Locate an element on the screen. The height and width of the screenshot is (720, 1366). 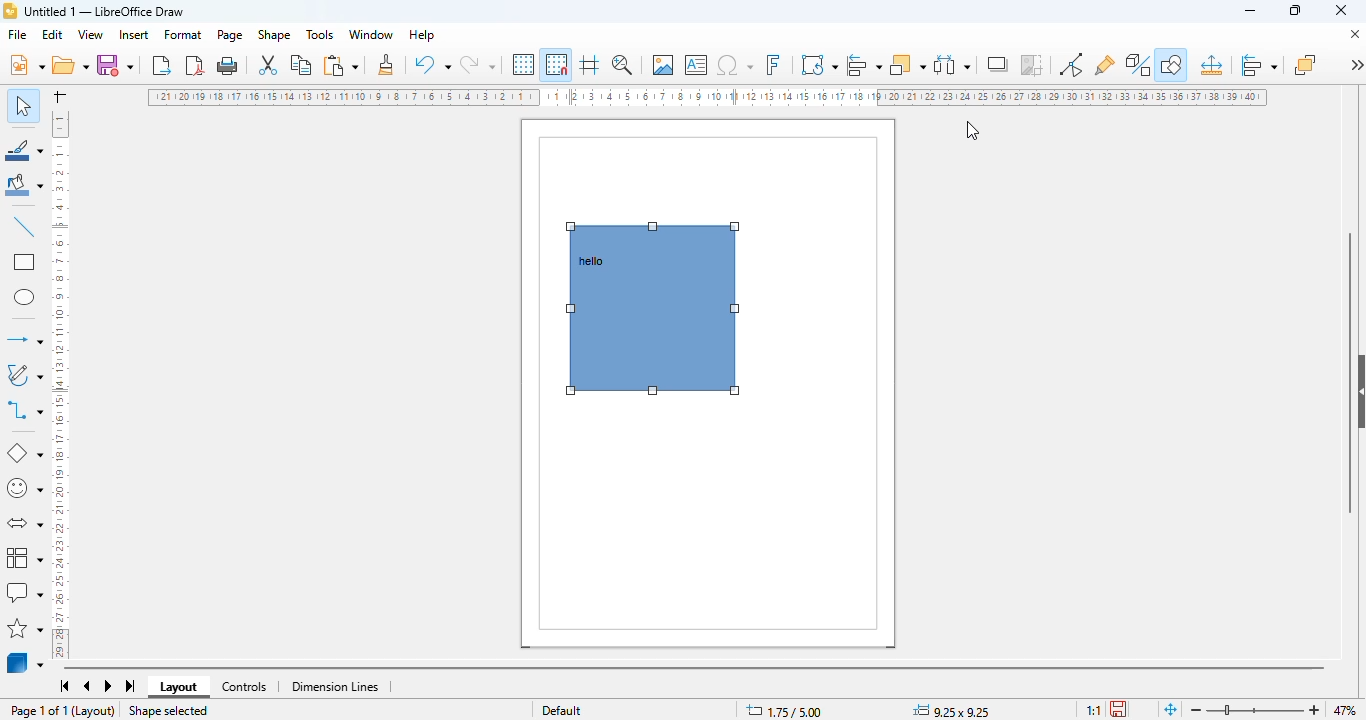
ruler is located at coordinates (61, 382).